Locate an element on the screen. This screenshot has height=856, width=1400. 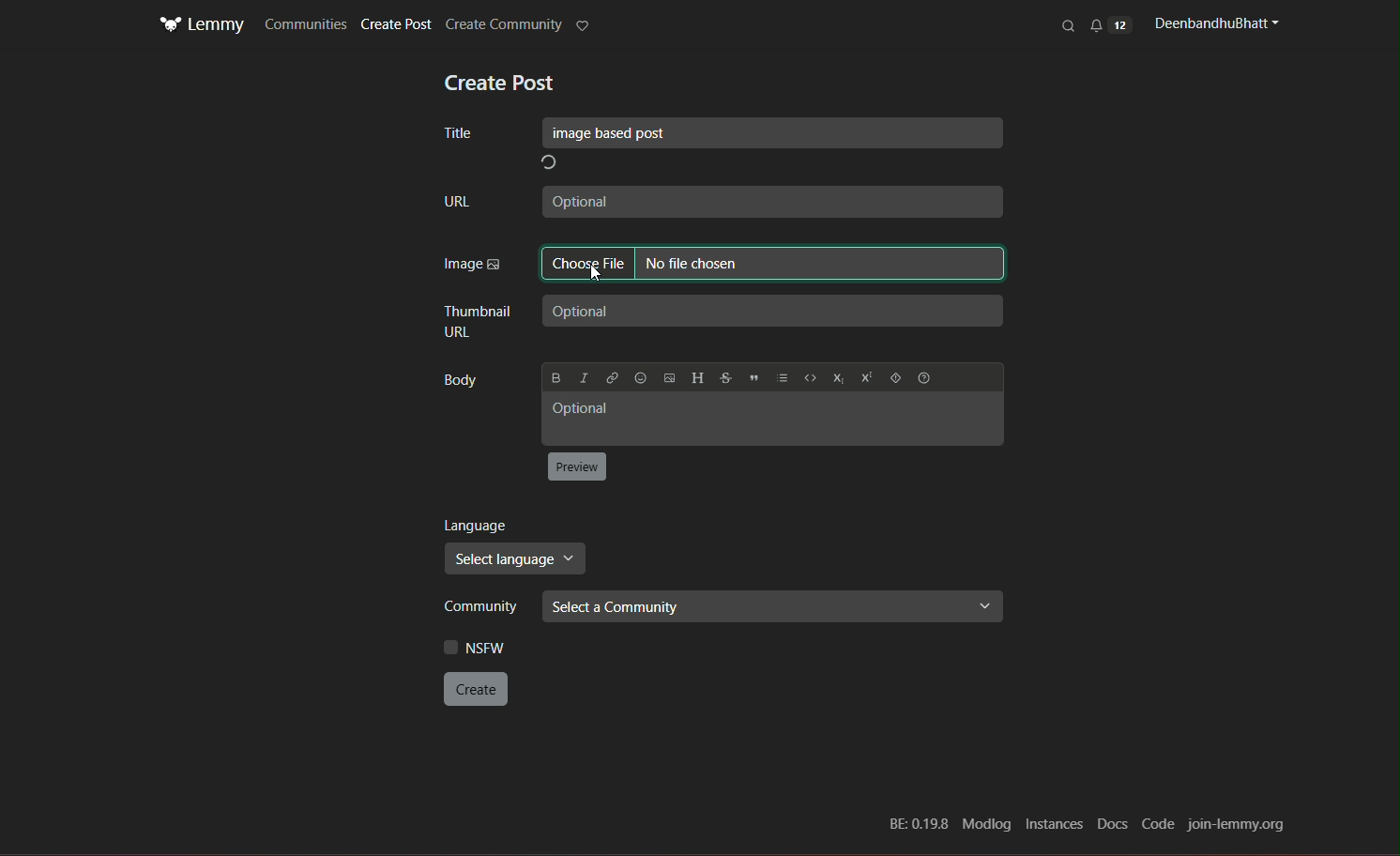
Communities is located at coordinates (306, 23).